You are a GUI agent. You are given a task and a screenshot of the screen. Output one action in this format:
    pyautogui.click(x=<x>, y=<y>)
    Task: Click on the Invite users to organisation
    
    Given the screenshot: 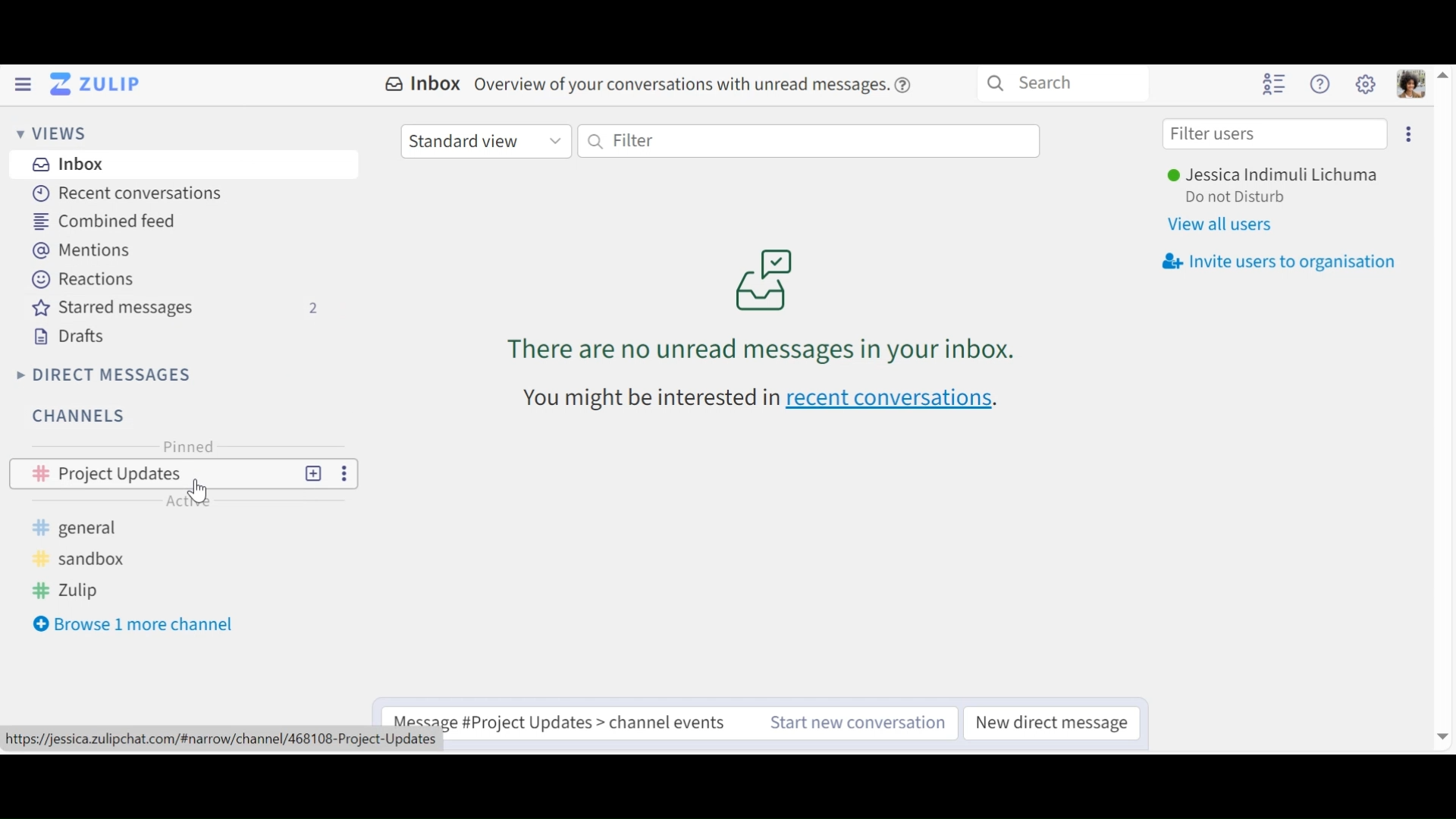 What is the action you would take?
    pyautogui.click(x=1409, y=134)
    